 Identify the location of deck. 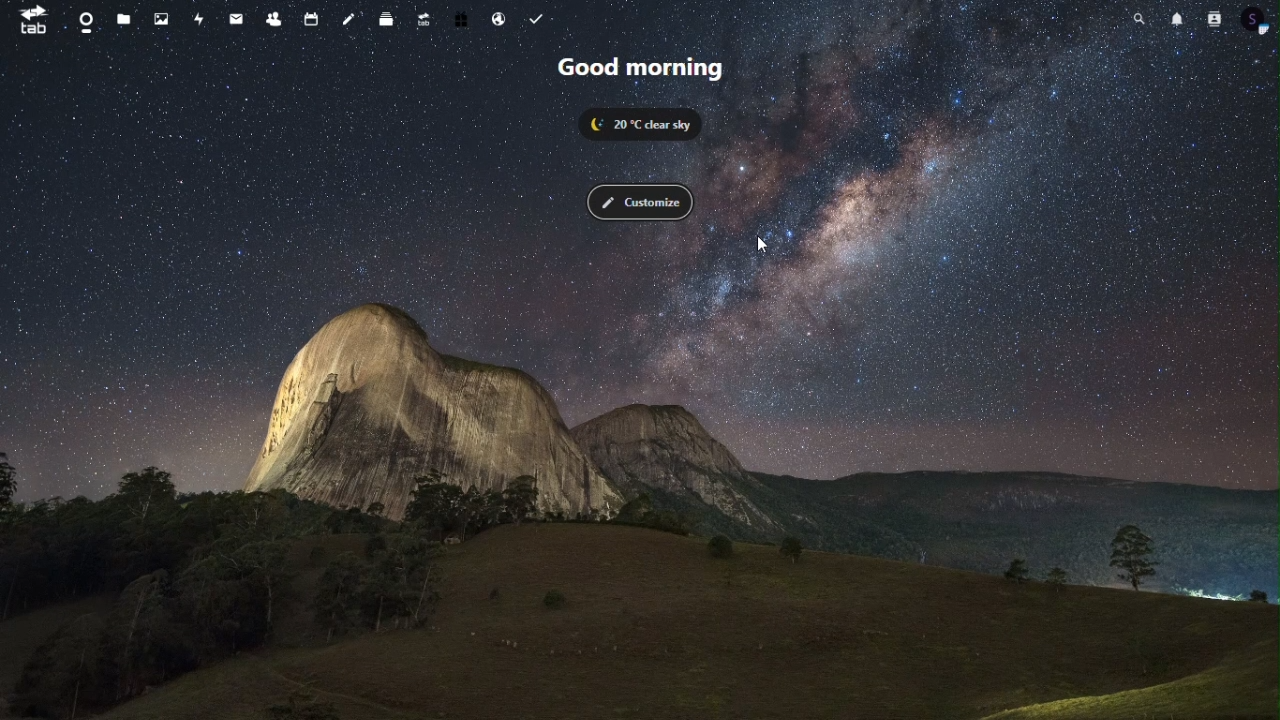
(388, 20).